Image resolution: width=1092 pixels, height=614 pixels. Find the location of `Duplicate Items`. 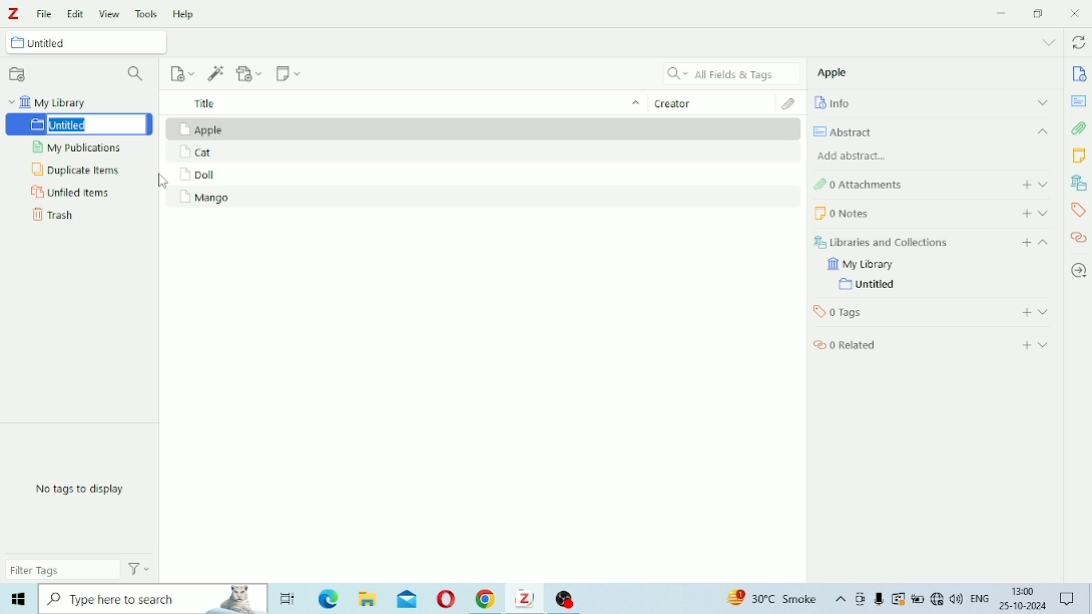

Duplicate Items is located at coordinates (75, 168).